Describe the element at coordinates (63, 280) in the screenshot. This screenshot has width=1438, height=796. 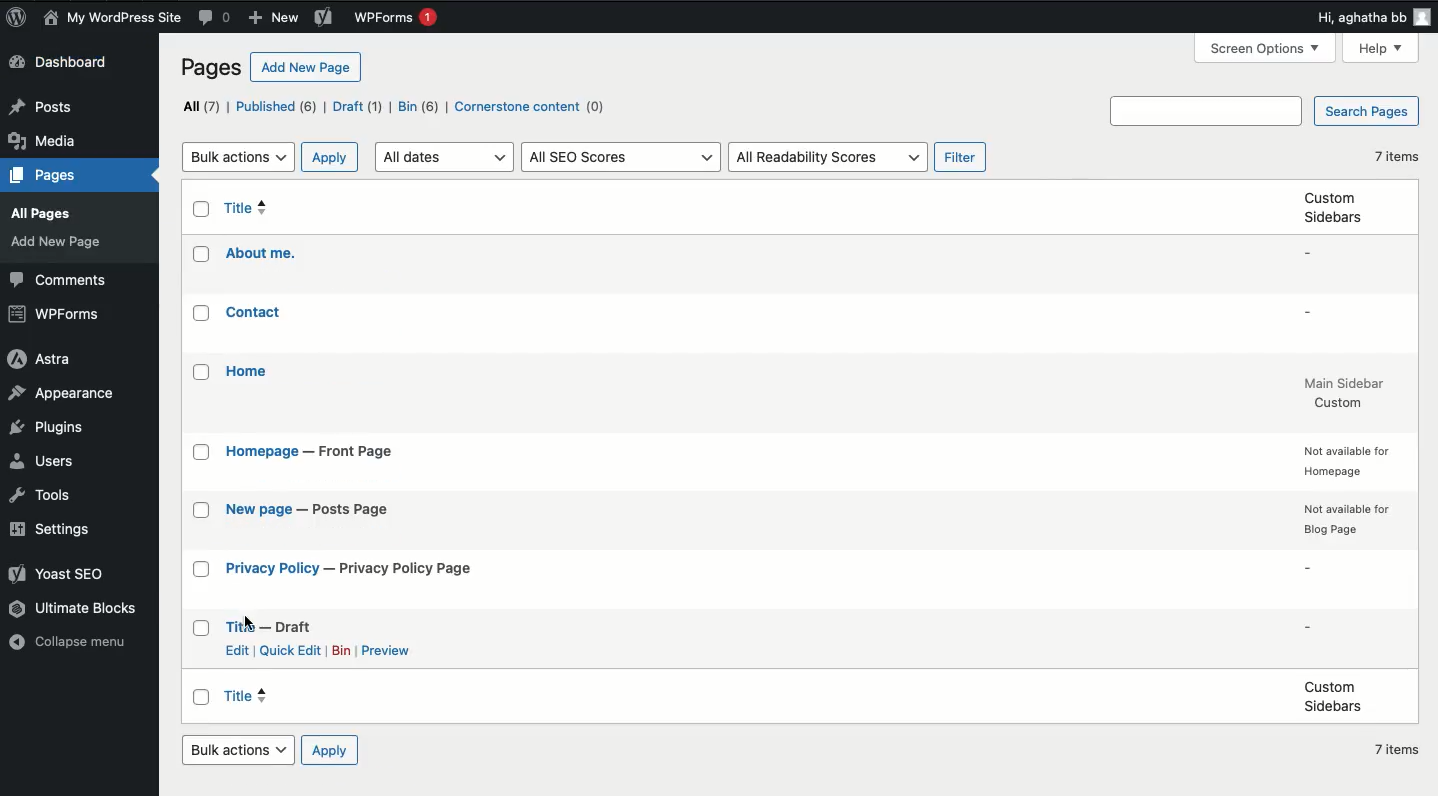
I see `Comments` at that location.